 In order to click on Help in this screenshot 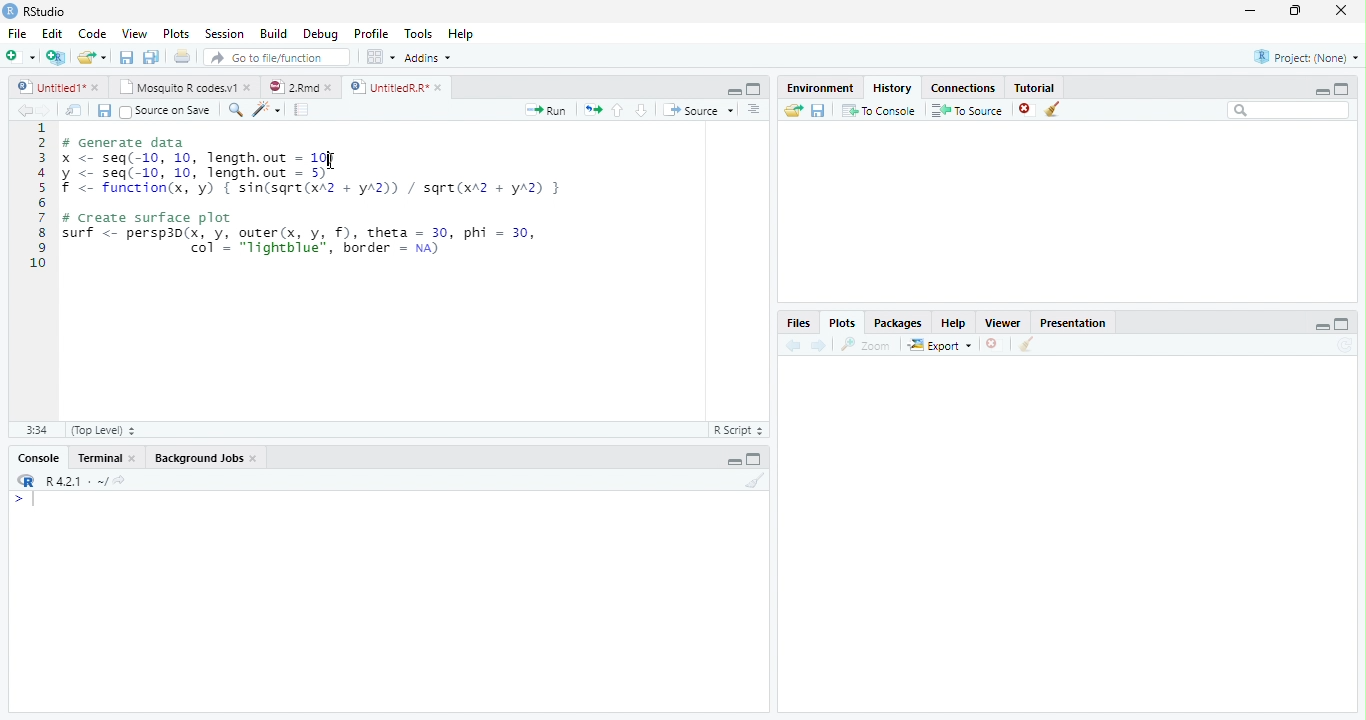, I will do `click(460, 33)`.